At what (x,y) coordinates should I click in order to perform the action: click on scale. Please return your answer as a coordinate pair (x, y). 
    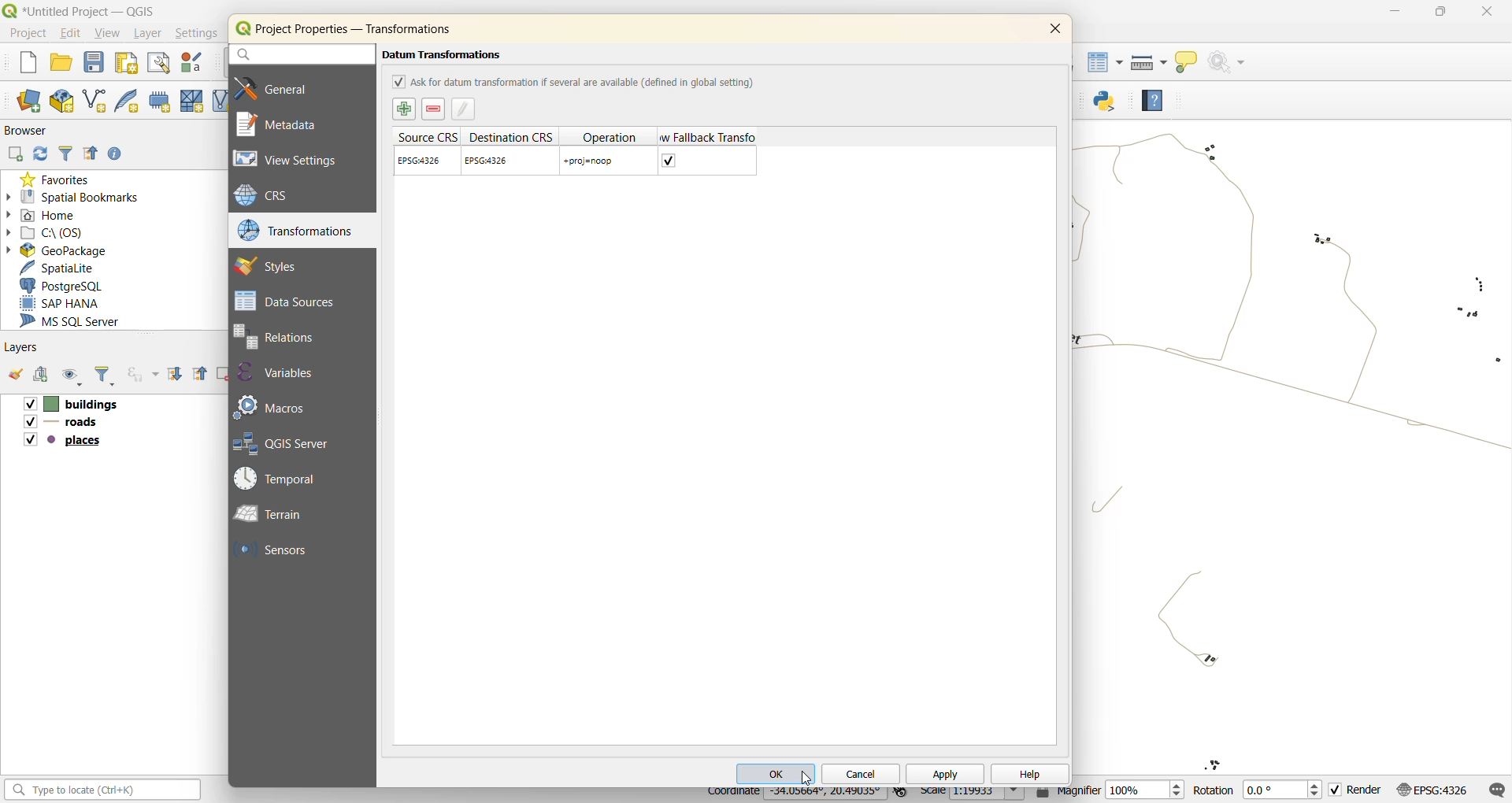
    Looking at the image, I should click on (973, 794).